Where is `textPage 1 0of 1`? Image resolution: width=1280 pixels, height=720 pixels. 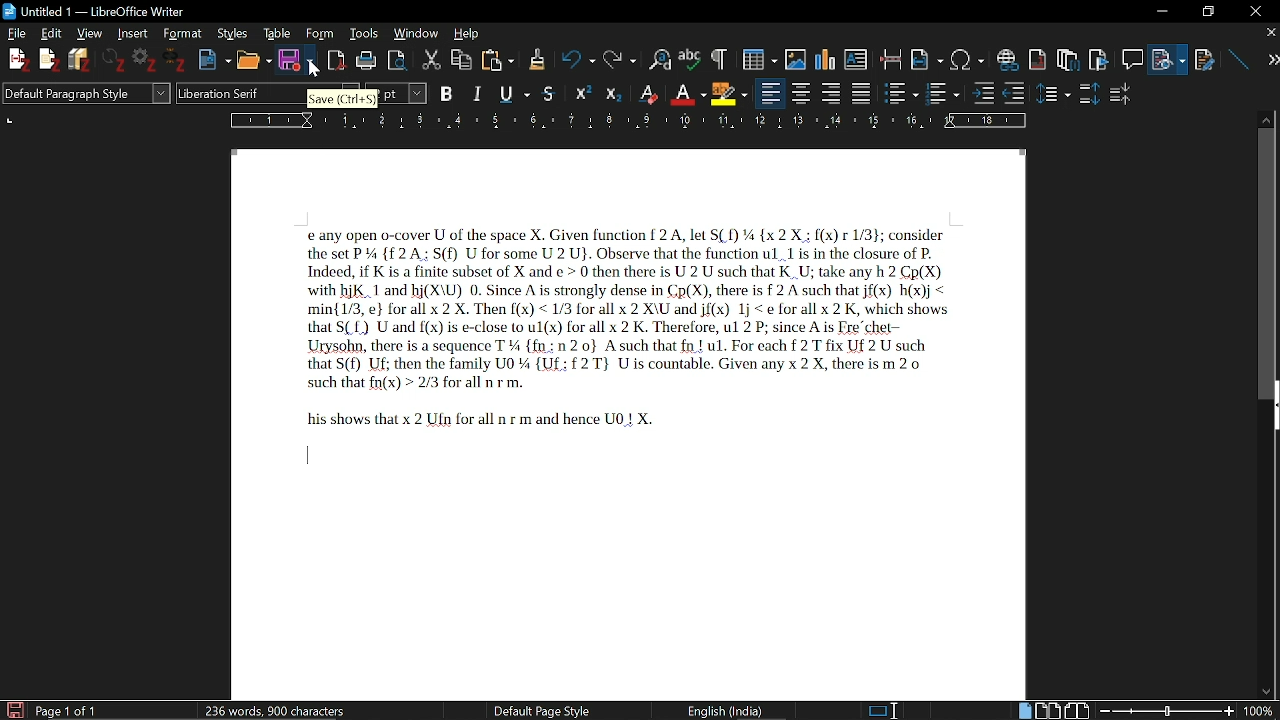 textPage 1 0of 1 is located at coordinates (620, 335).